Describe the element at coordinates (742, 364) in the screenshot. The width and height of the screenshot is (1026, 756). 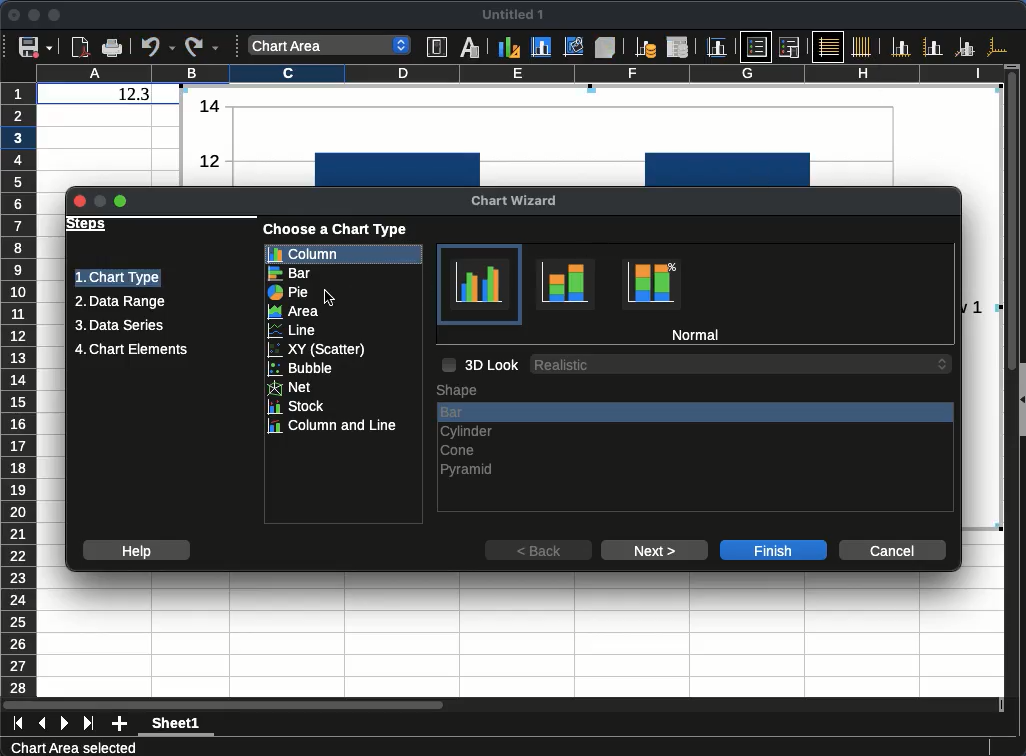
I see `3D Look options` at that location.